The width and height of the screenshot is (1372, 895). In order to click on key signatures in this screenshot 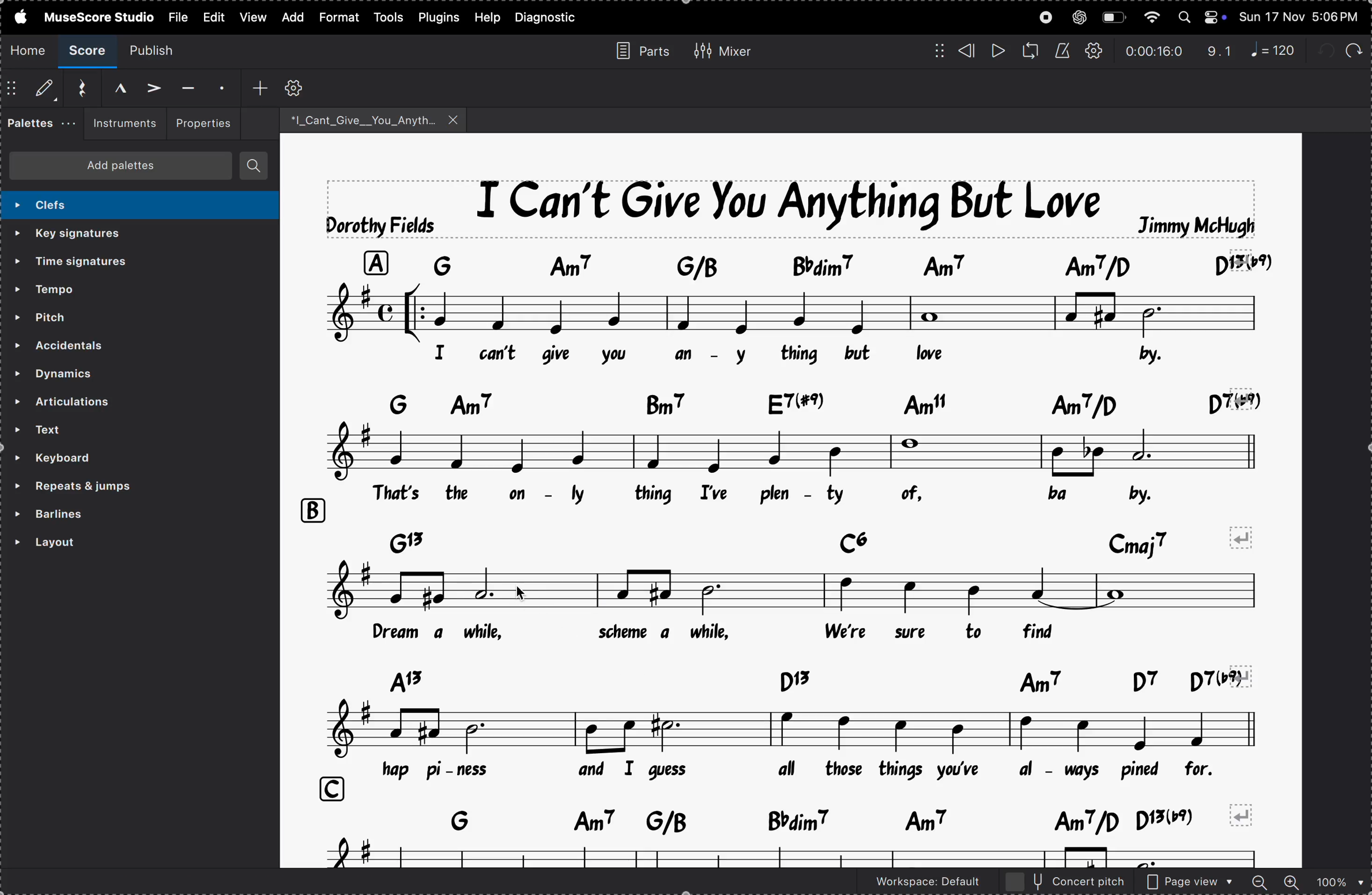, I will do `click(107, 234)`.